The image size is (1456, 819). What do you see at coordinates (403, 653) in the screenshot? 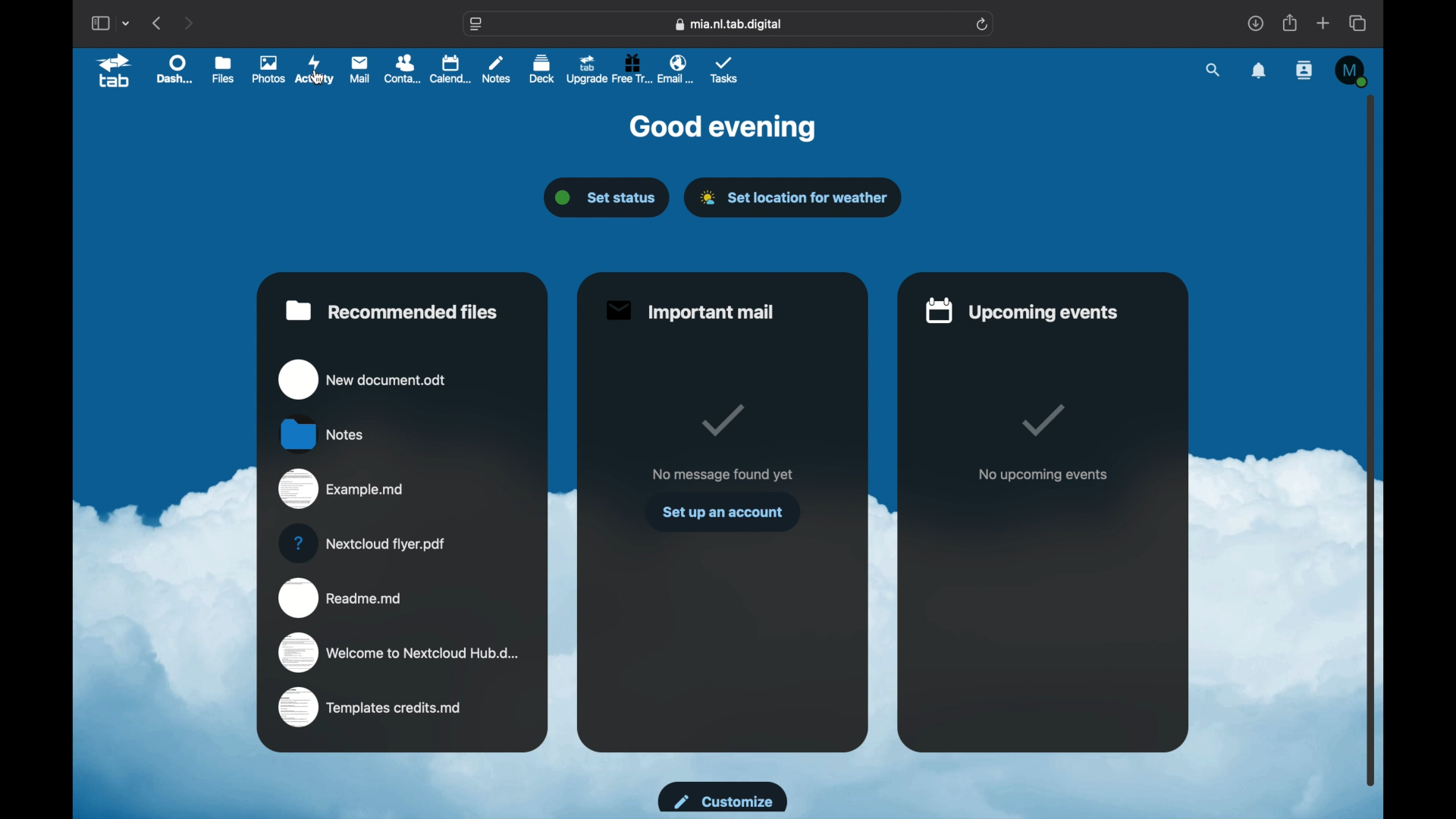
I see `welcome` at bounding box center [403, 653].